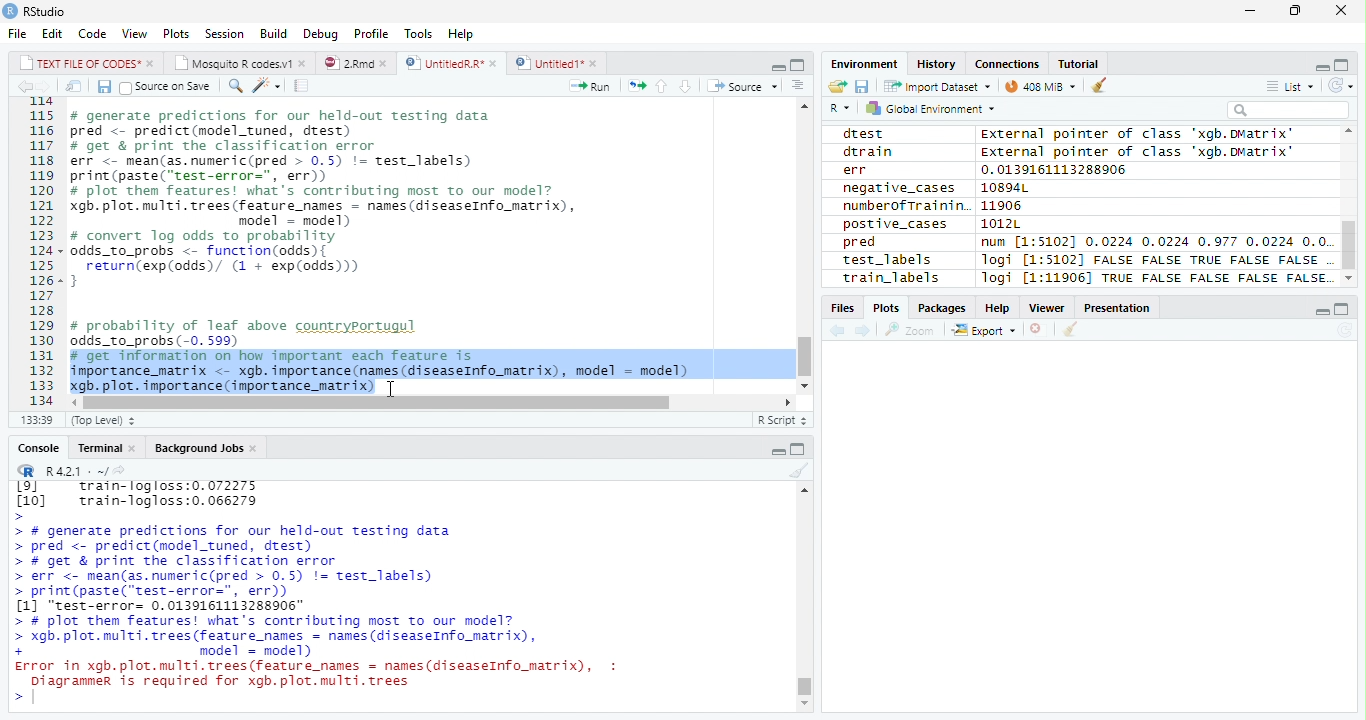 This screenshot has height=720, width=1366. I want to click on Lol train-logloss:0.072275
[10]  train-logloss:0.066279, so click(138, 500).